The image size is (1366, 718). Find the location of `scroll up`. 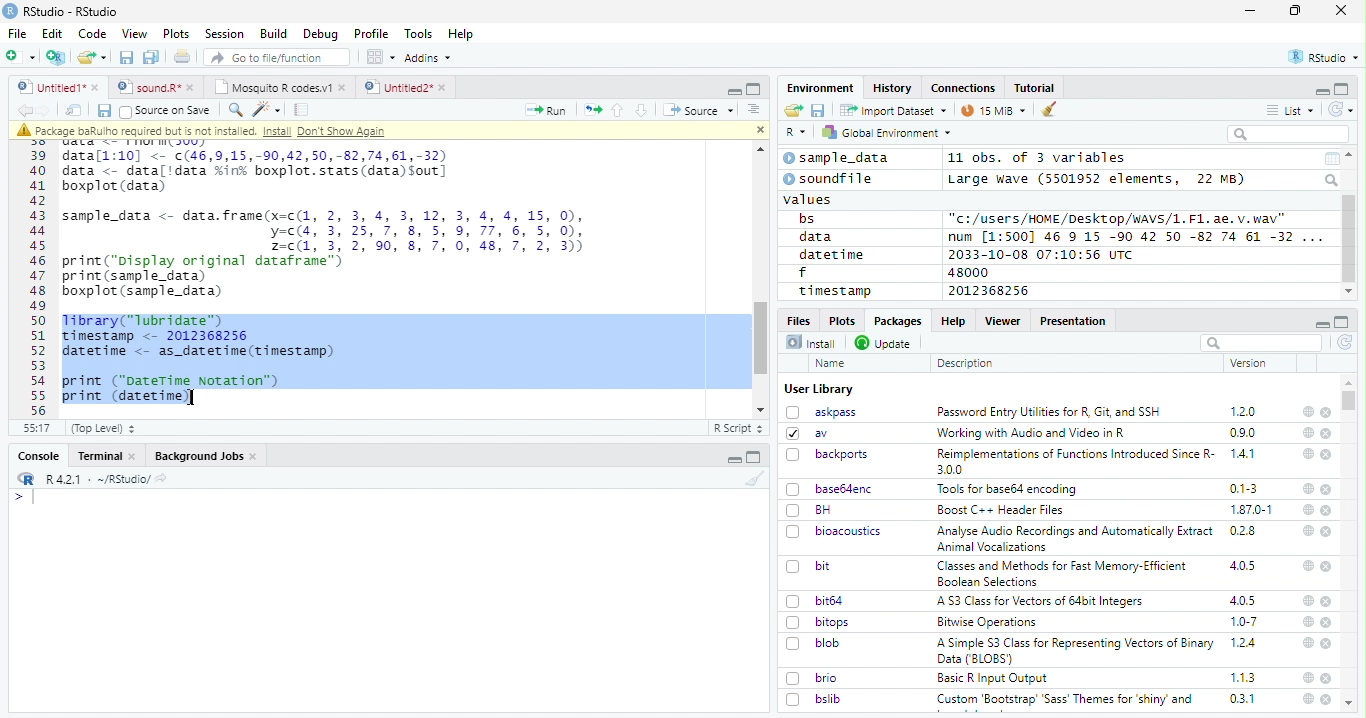

scroll up is located at coordinates (757, 150).